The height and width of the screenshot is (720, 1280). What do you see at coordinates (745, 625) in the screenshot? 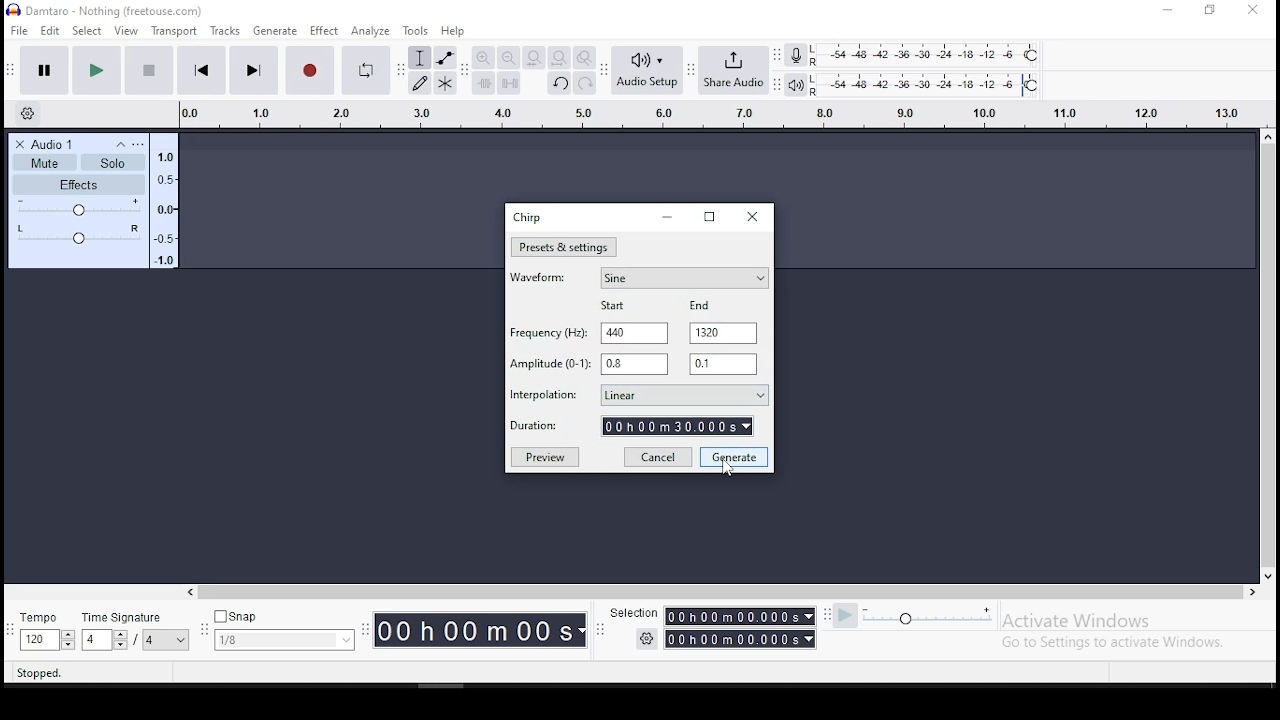
I see `selection duration` at bounding box center [745, 625].